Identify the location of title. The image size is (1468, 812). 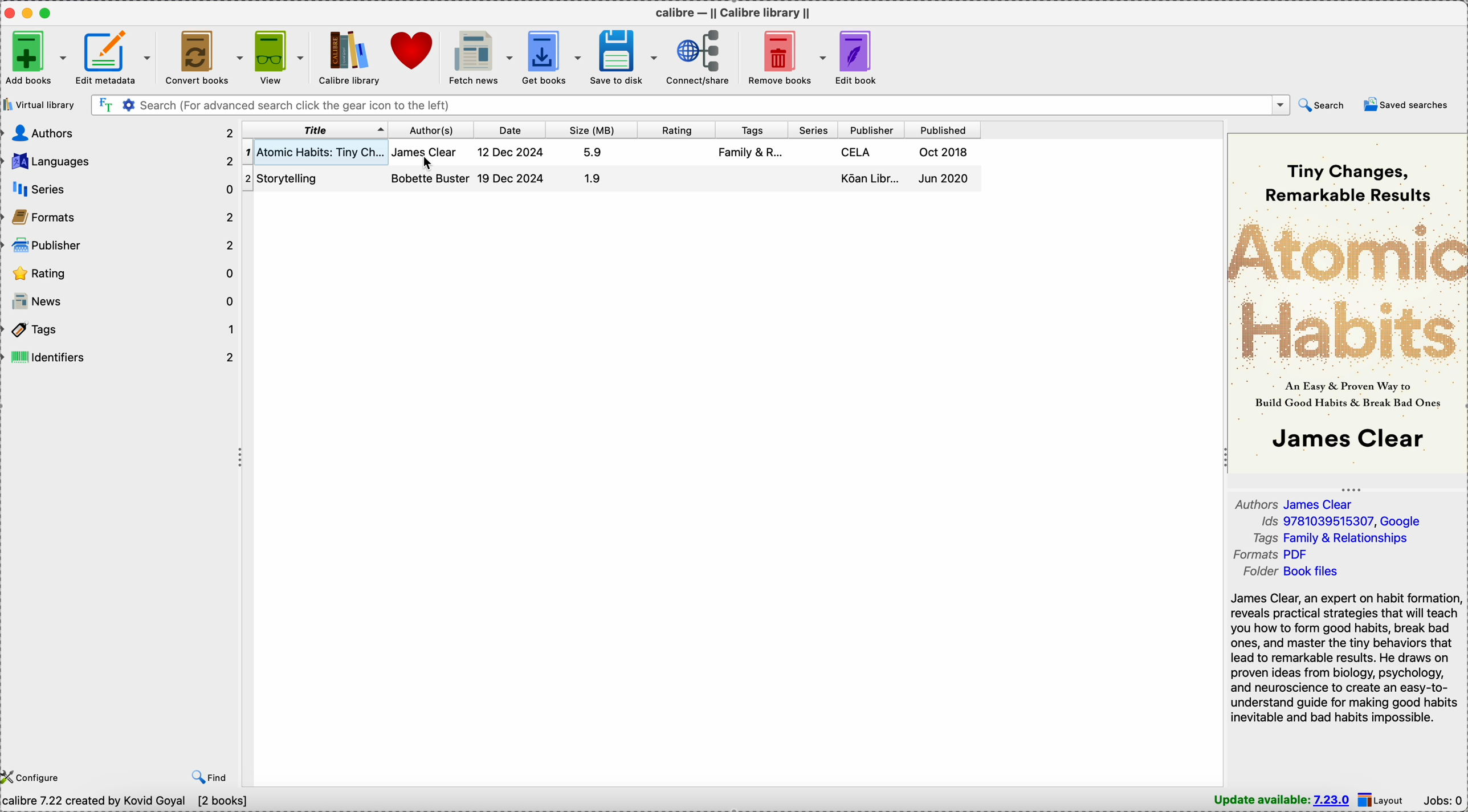
(316, 130).